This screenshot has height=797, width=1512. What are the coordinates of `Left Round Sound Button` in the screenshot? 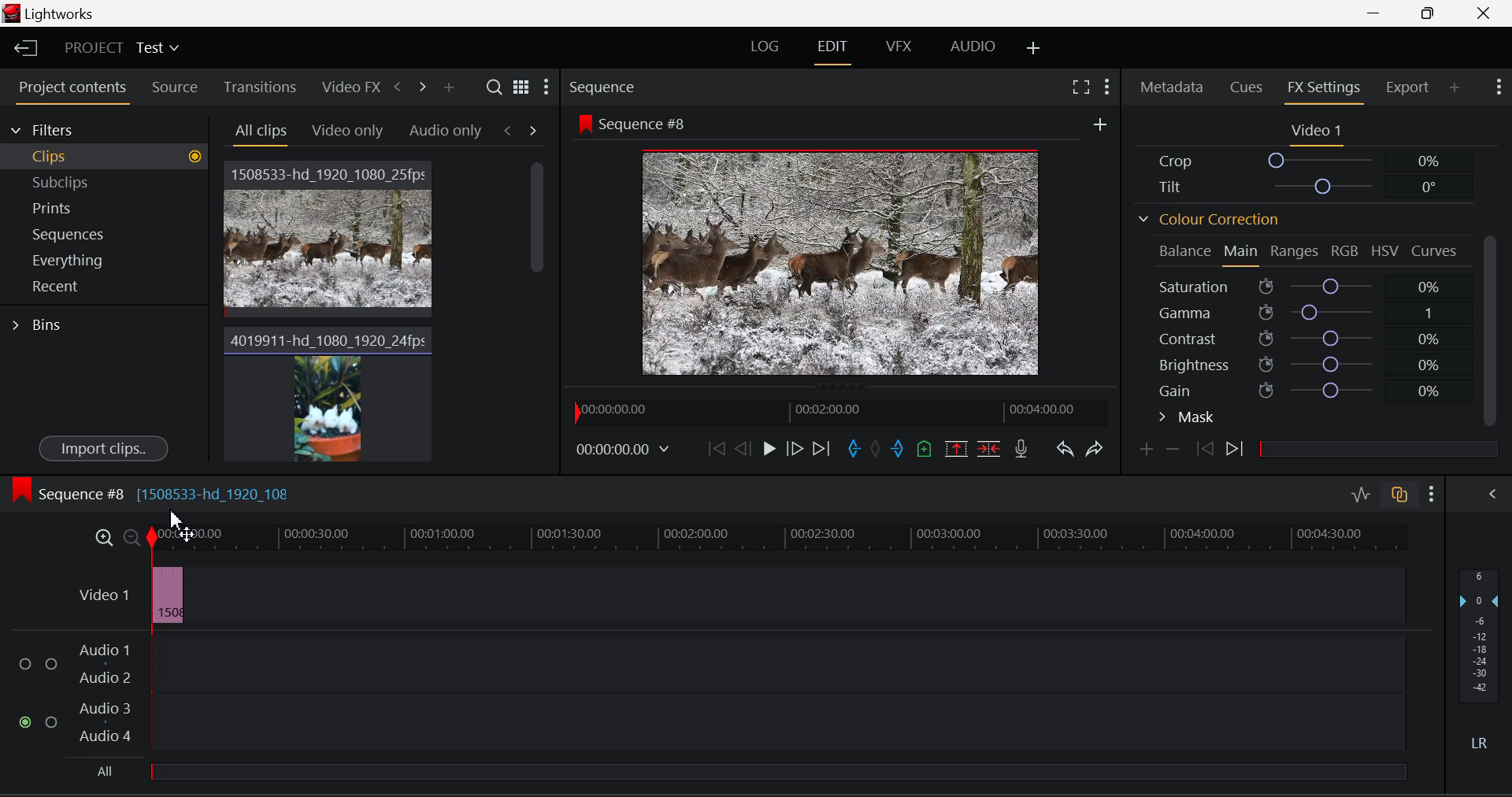 It's located at (1477, 743).